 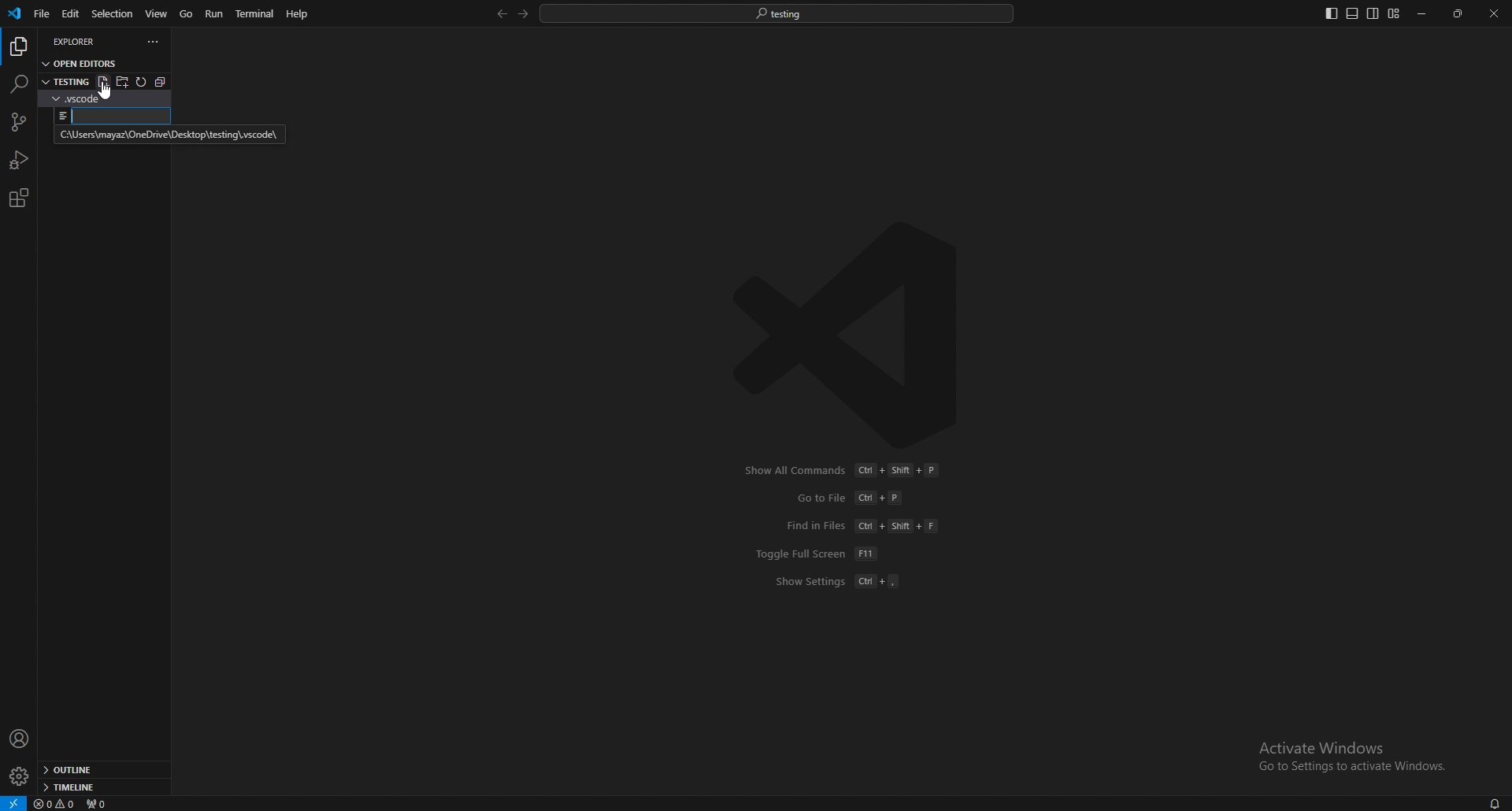 I want to click on folder name, so click(x=65, y=80).